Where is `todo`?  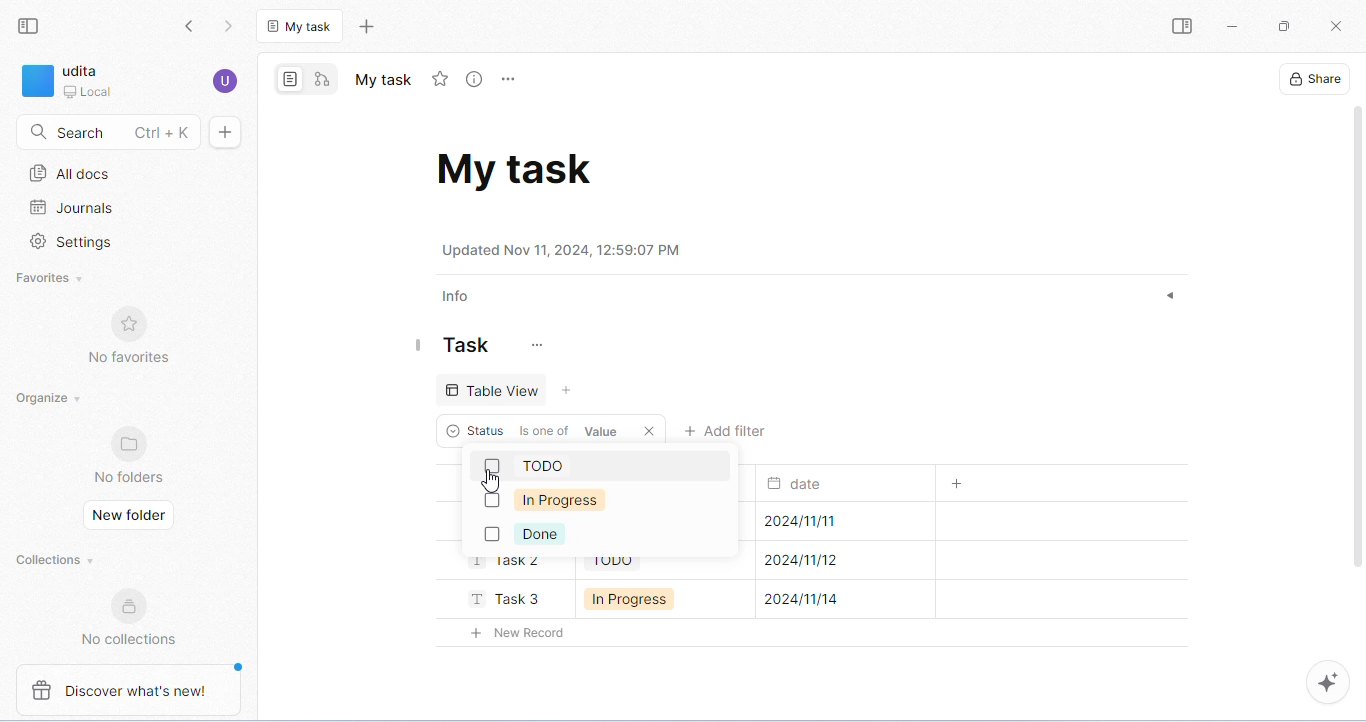
todo is located at coordinates (544, 466).